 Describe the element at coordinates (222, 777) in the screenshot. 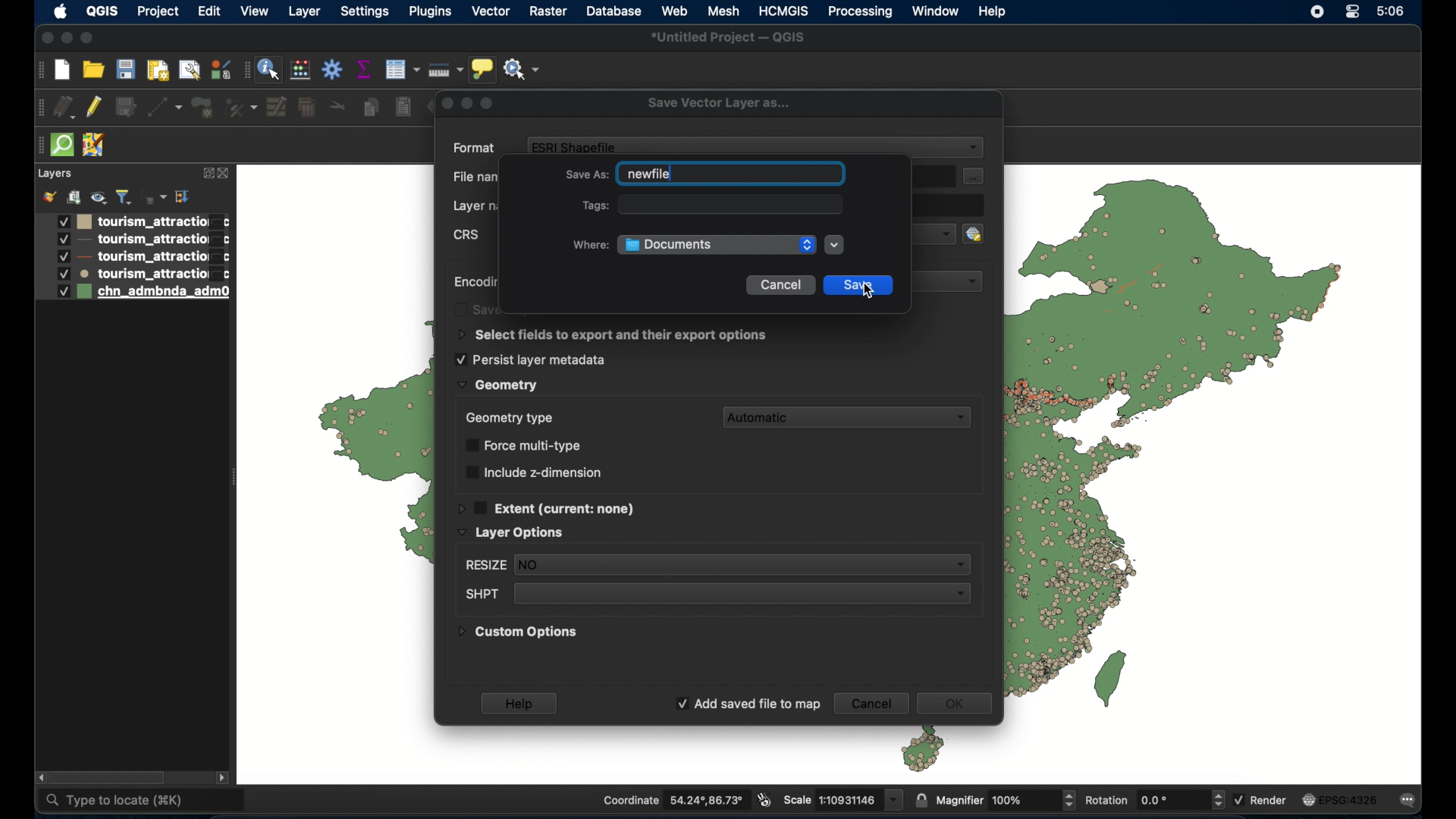

I see `scroll right arrow` at that location.